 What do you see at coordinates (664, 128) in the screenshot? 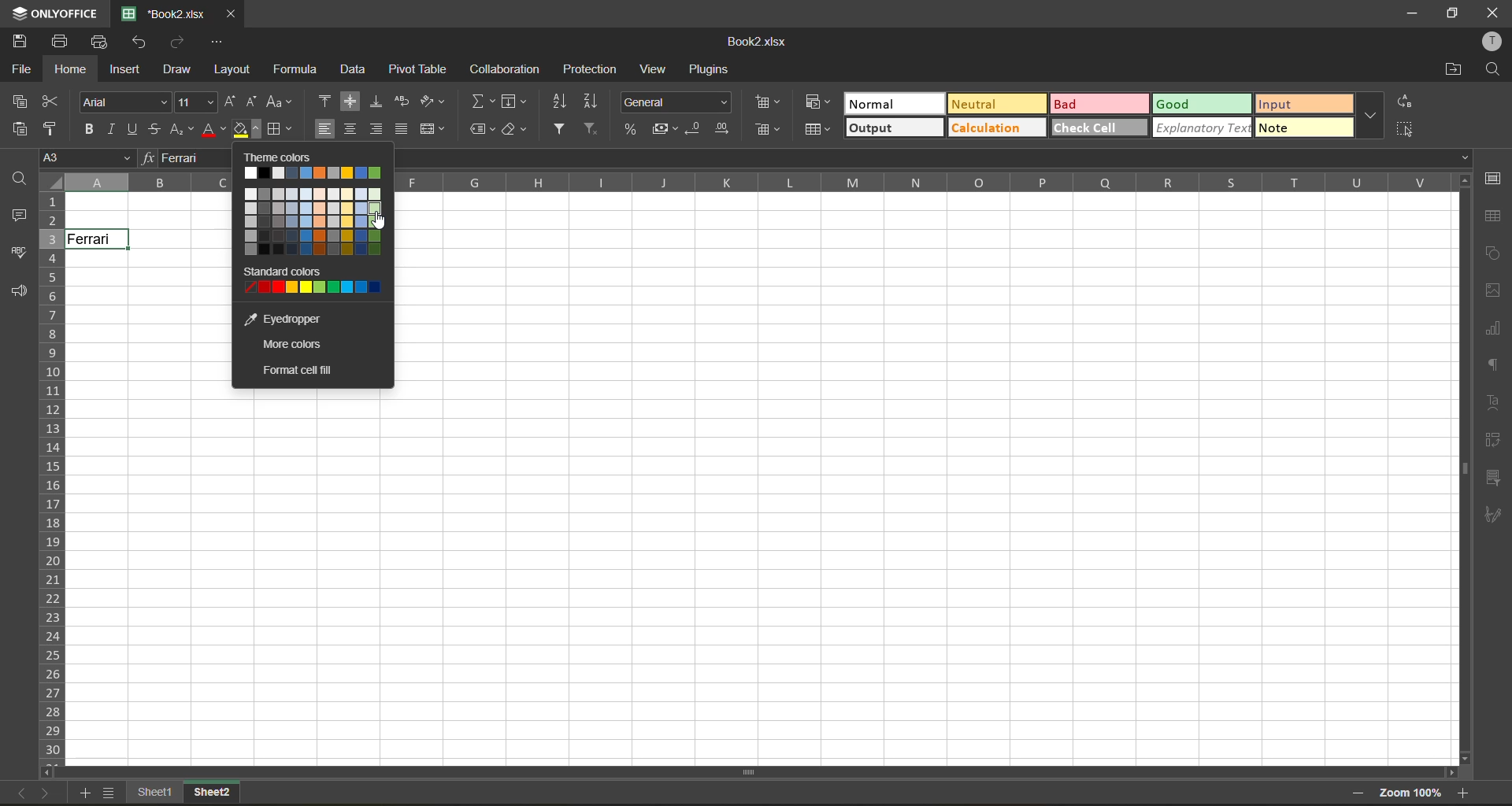
I see `accounting` at bounding box center [664, 128].